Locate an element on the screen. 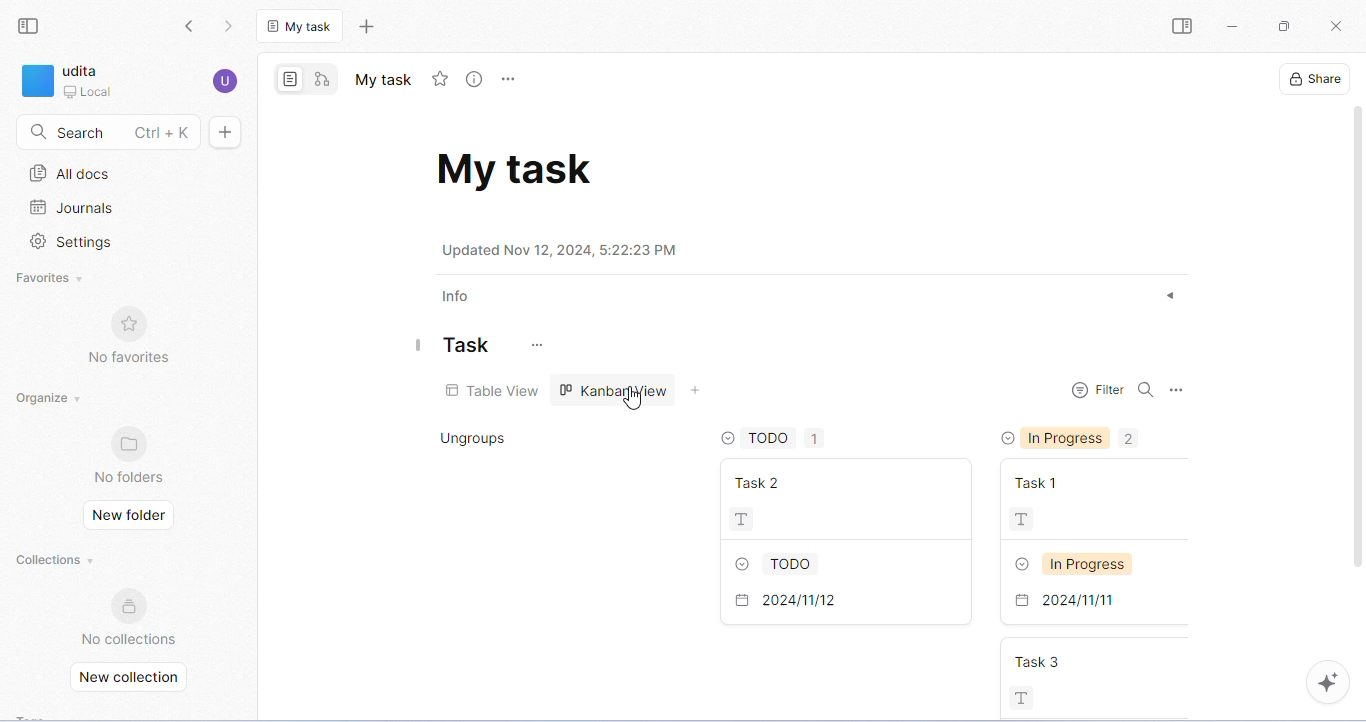 This screenshot has height=722, width=1366. change view is located at coordinates (698, 391).